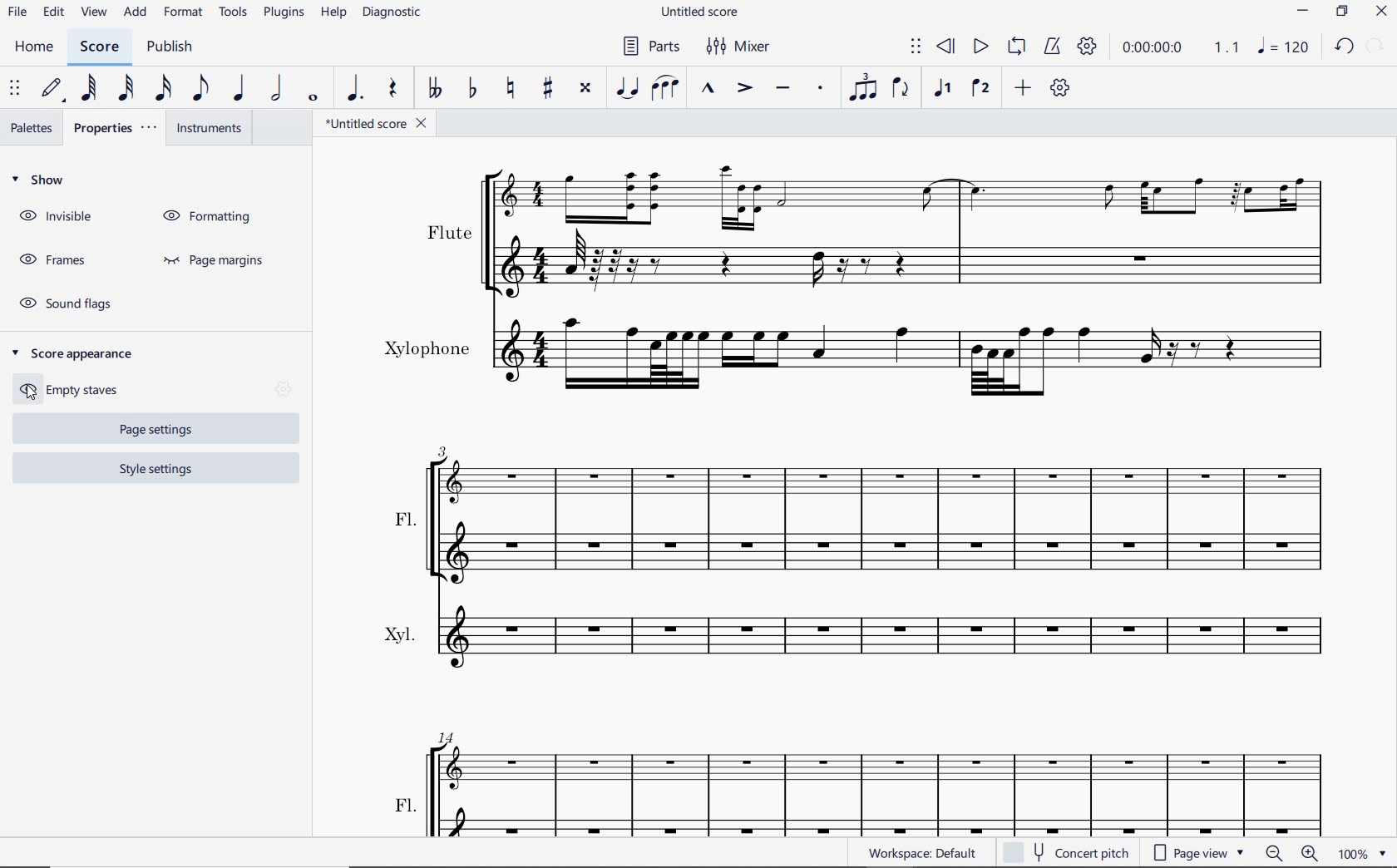  Describe the element at coordinates (60, 302) in the screenshot. I see `SOUND FLAGS` at that location.